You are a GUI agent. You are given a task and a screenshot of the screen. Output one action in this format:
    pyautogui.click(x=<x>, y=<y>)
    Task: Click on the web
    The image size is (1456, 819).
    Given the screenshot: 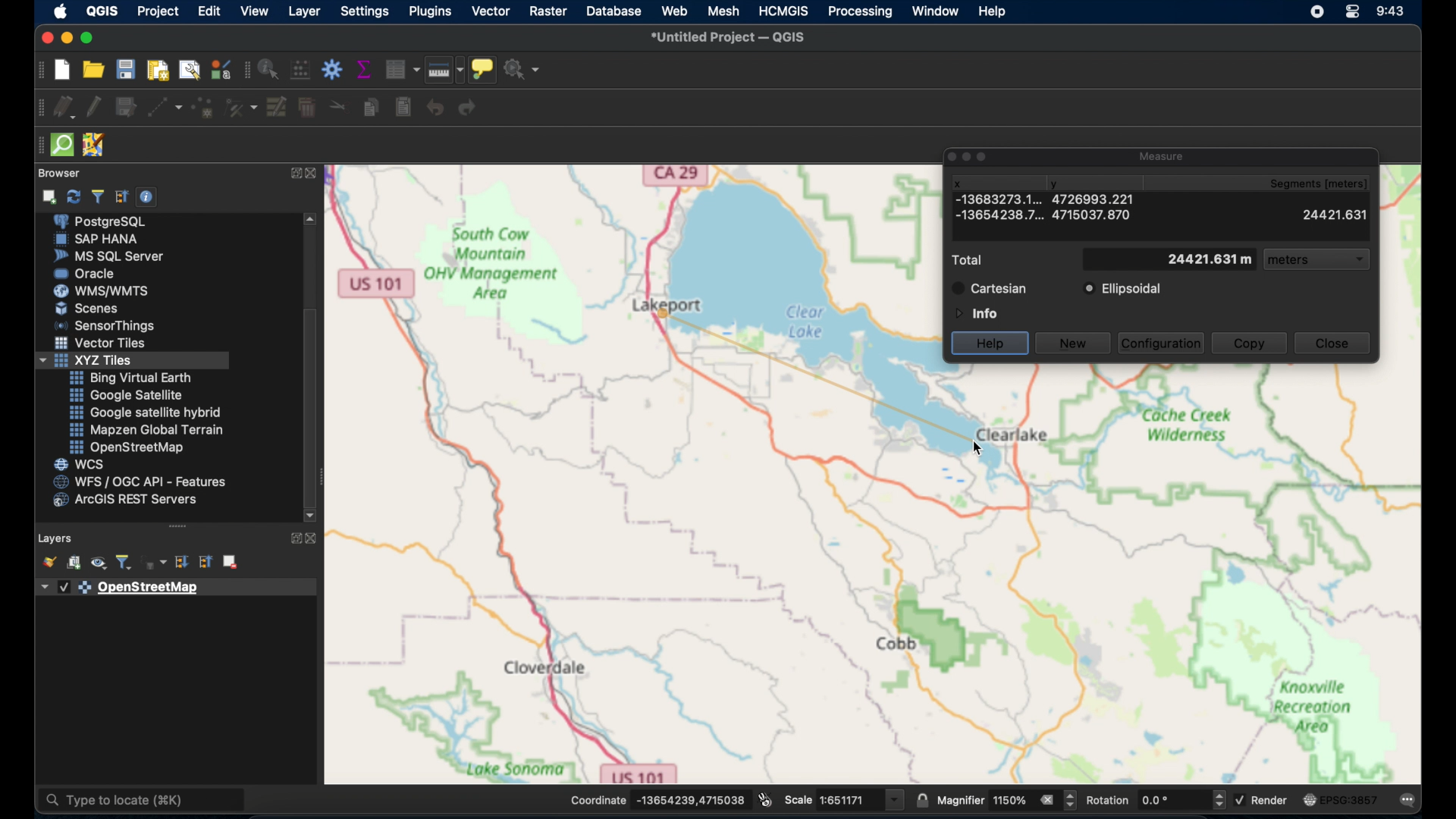 What is the action you would take?
    pyautogui.click(x=674, y=11)
    